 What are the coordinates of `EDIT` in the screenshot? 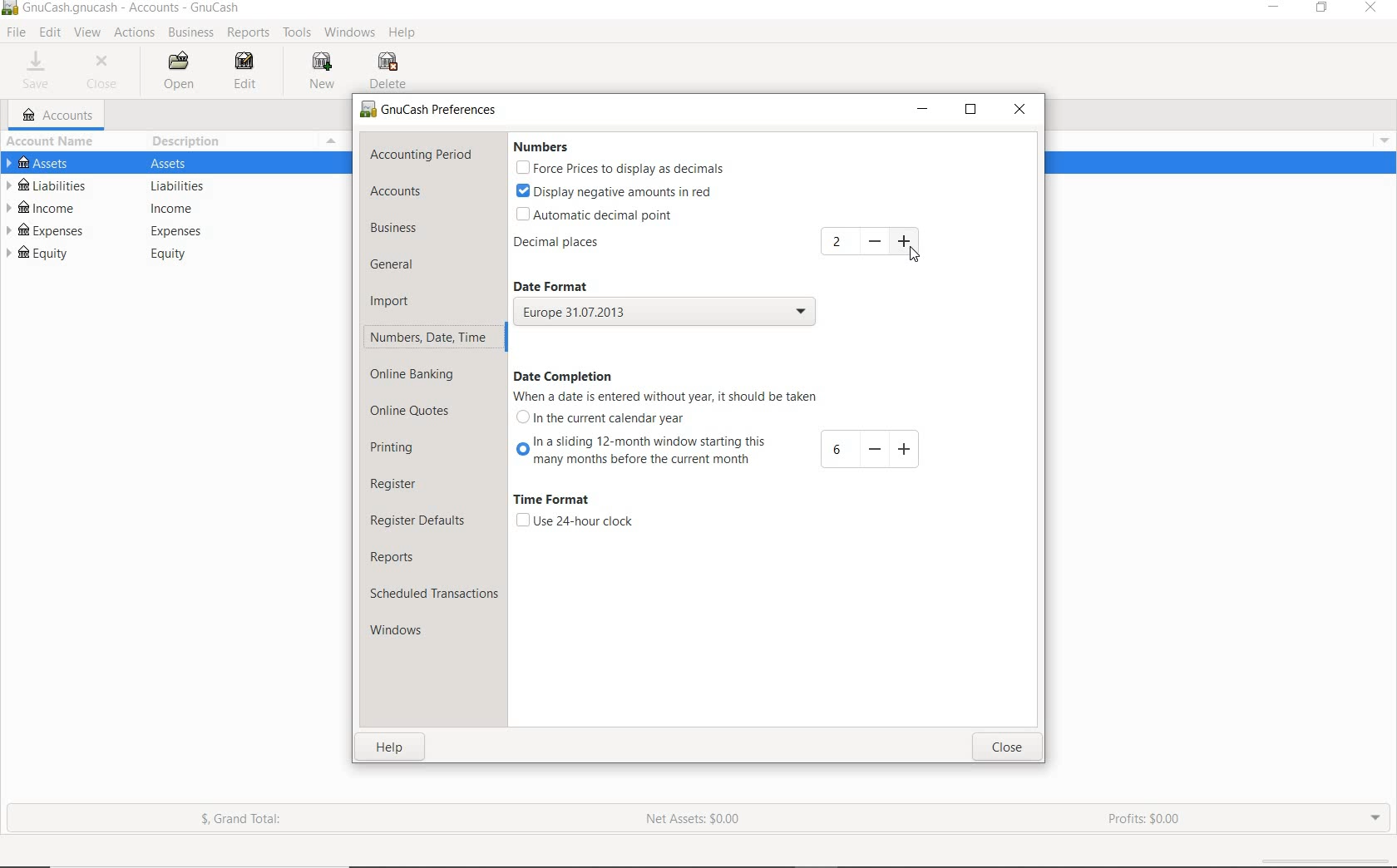 It's located at (49, 33).